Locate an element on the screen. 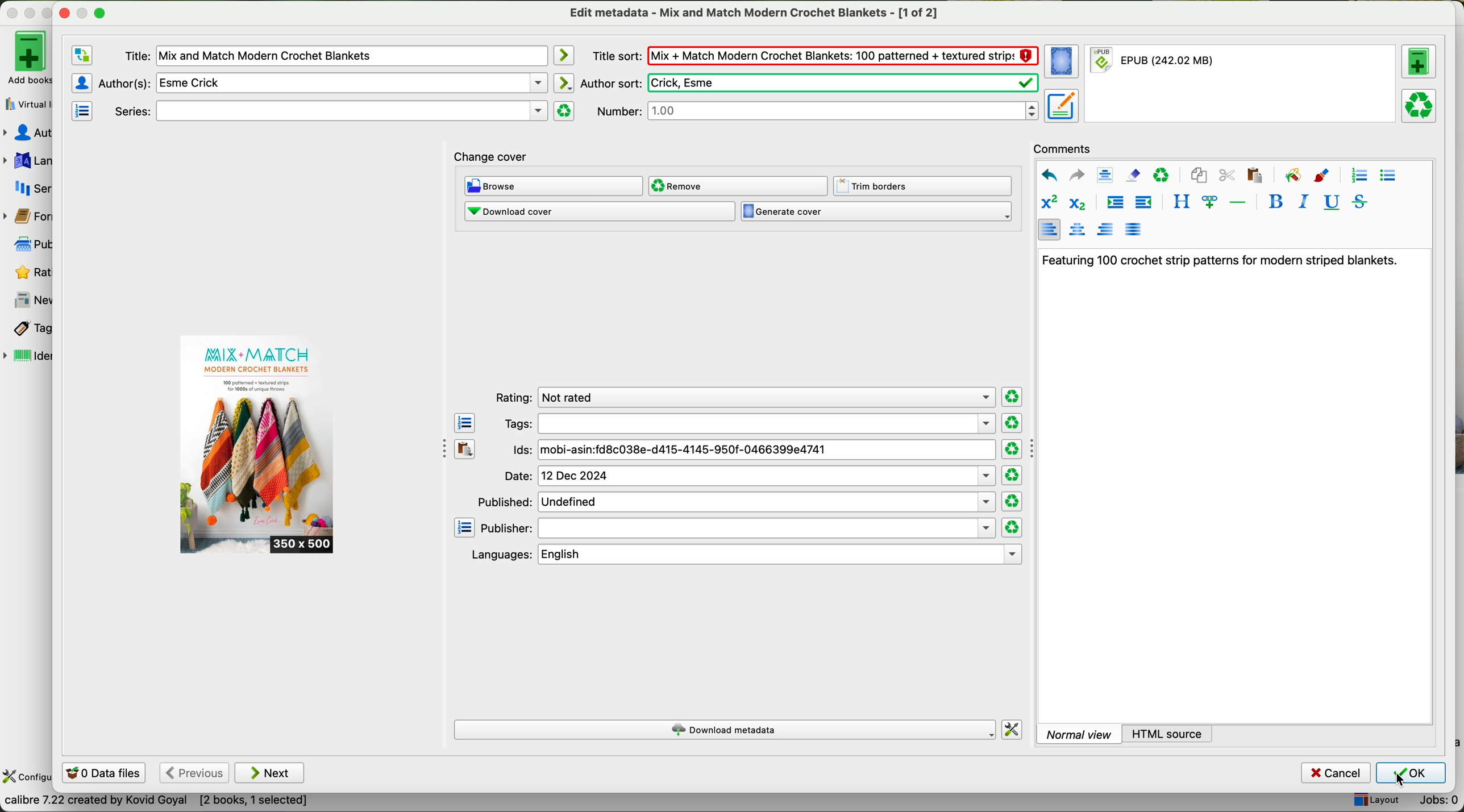  browse is located at coordinates (554, 187).